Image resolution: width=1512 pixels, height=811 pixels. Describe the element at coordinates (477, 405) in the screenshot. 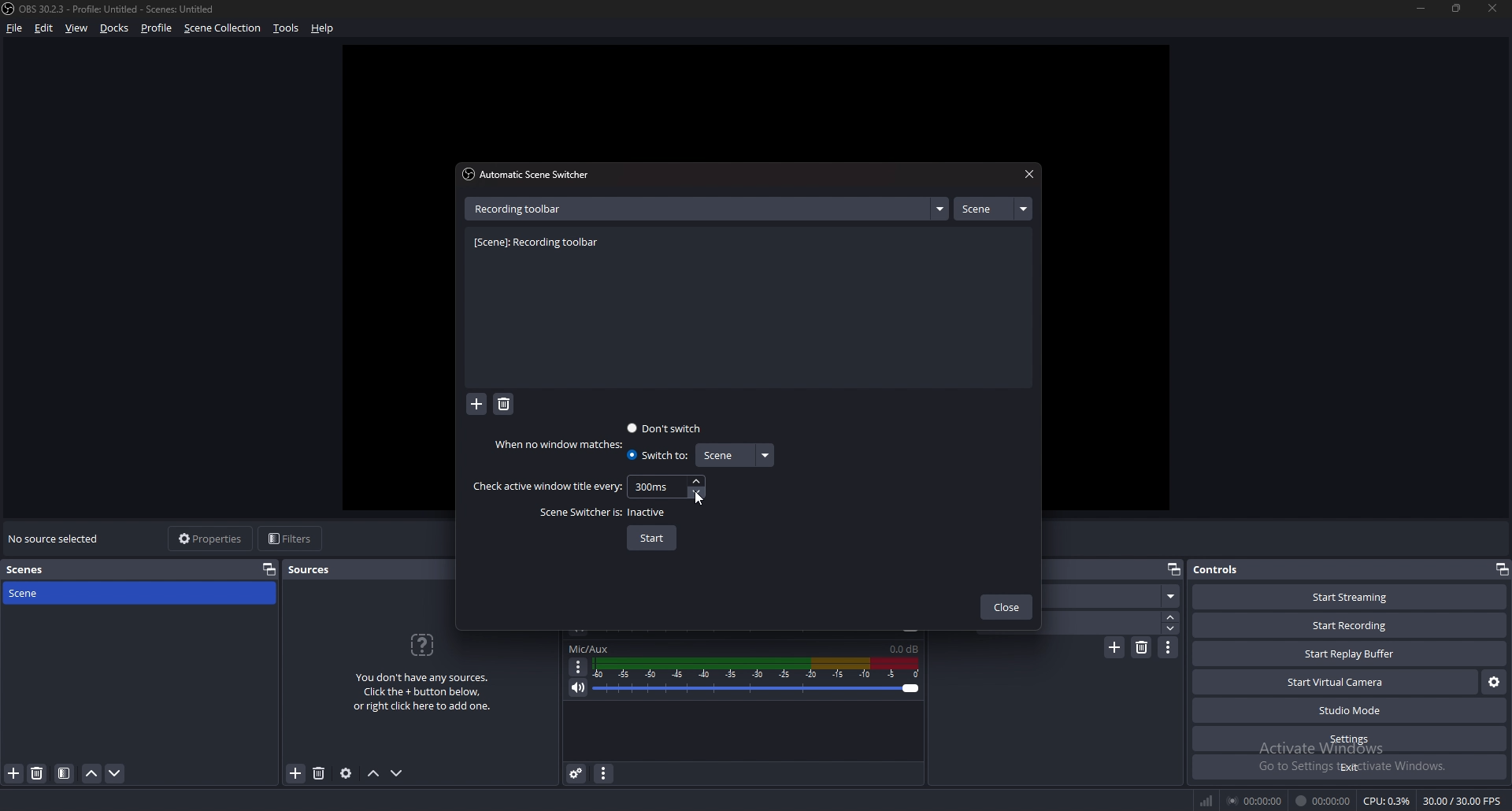

I see `add` at that location.